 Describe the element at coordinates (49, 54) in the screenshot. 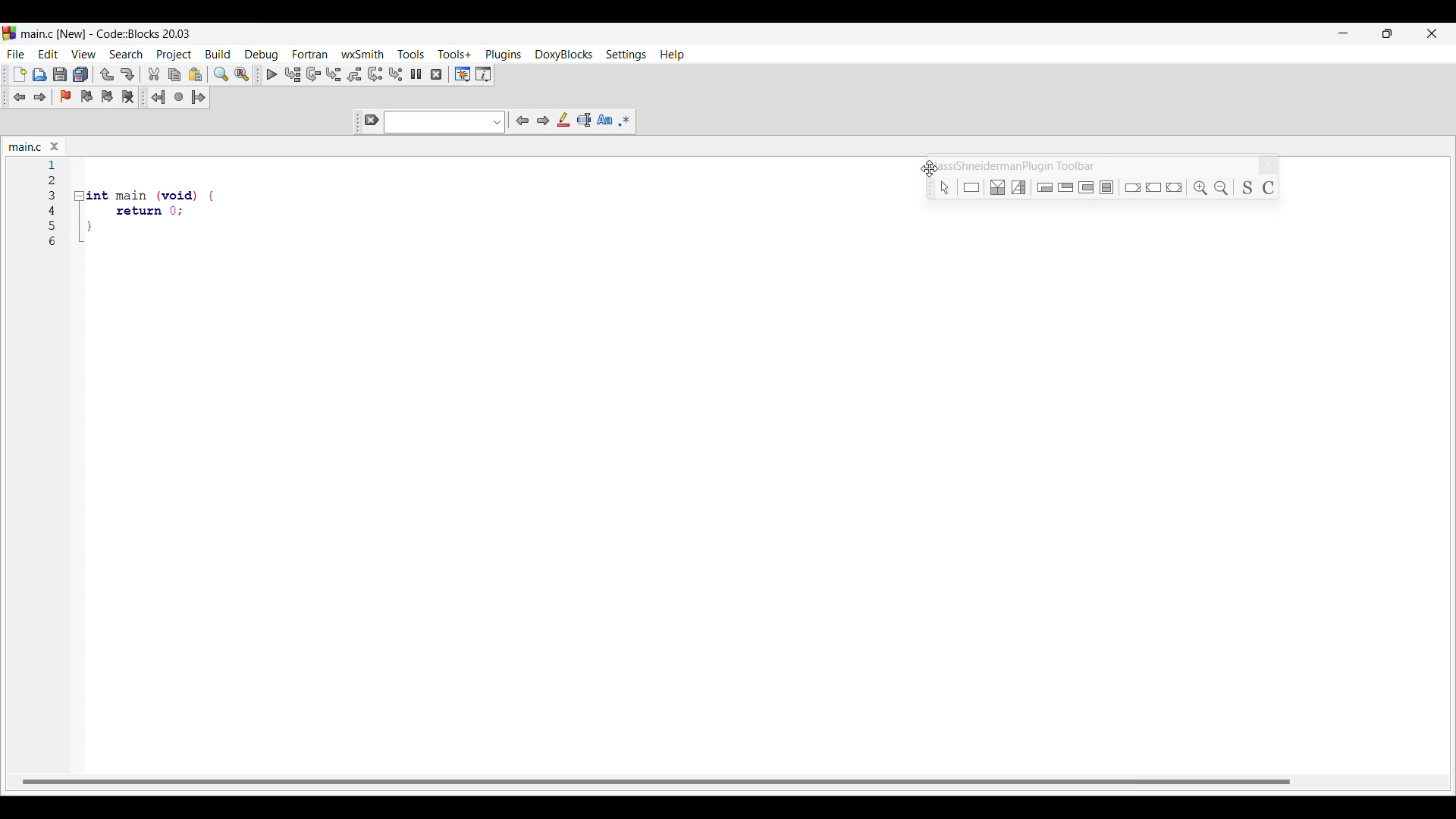

I see `Edit menu` at that location.